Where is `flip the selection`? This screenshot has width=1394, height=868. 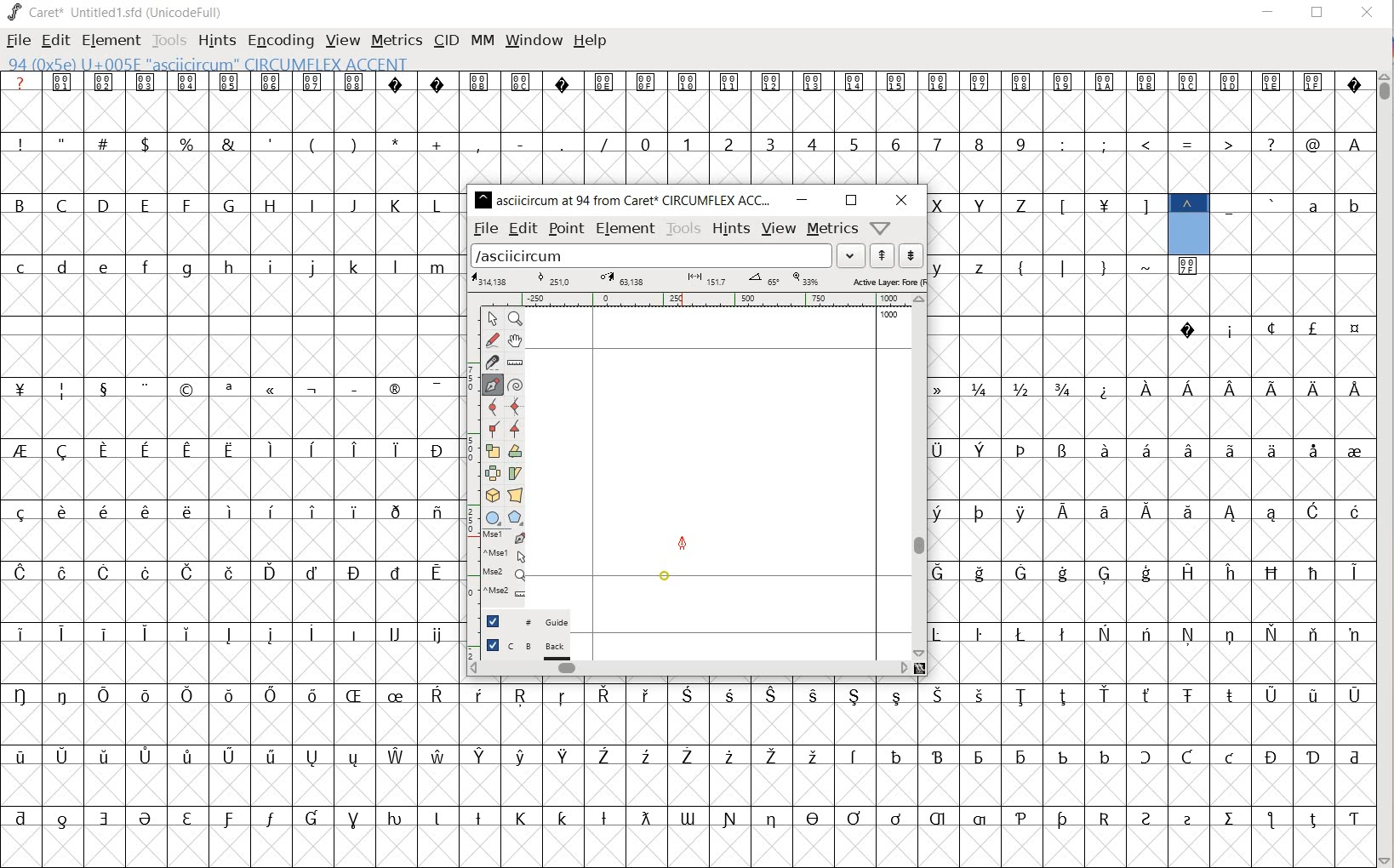
flip the selection is located at coordinates (492, 473).